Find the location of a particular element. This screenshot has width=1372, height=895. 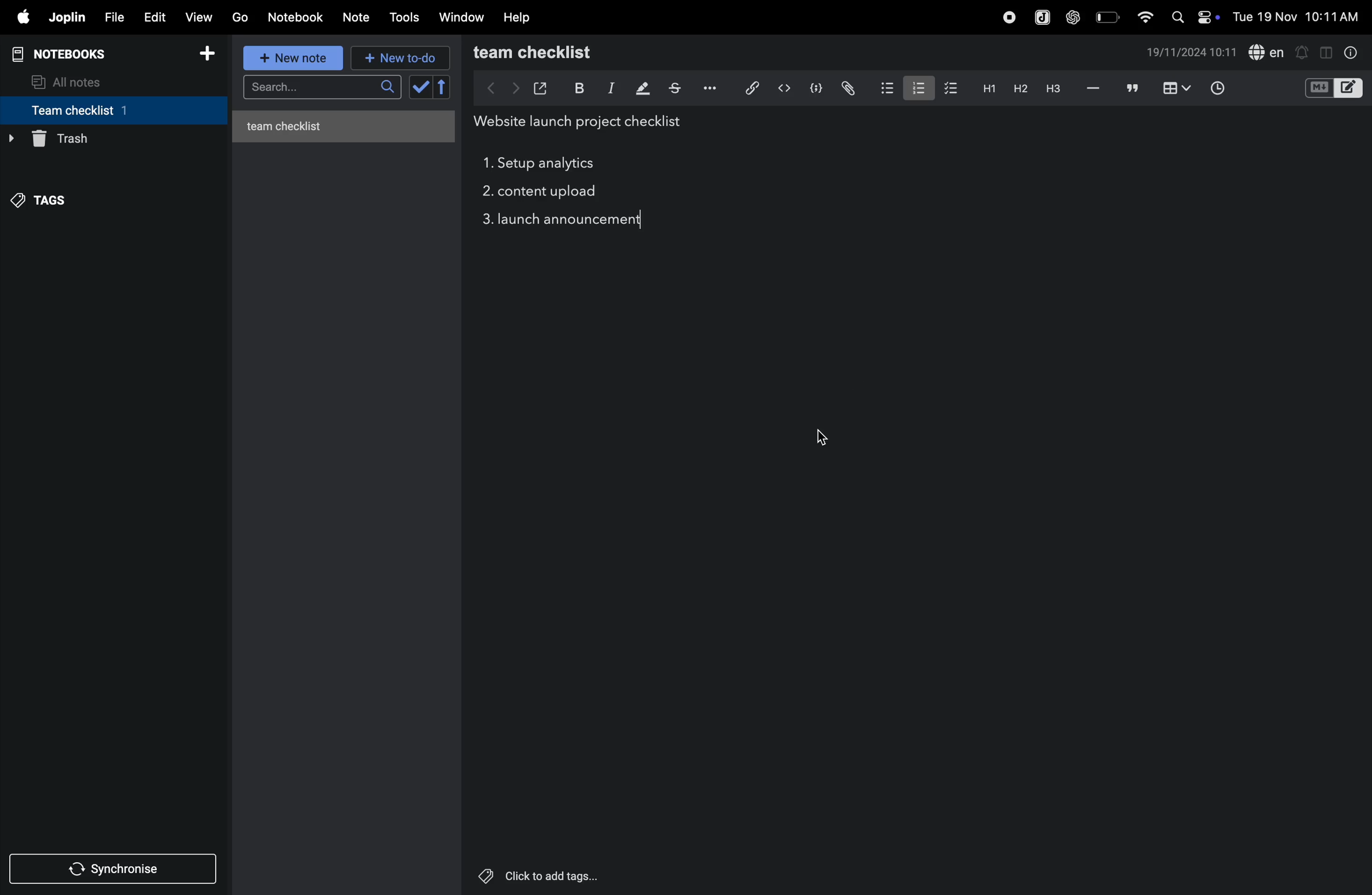

search  is located at coordinates (320, 89).